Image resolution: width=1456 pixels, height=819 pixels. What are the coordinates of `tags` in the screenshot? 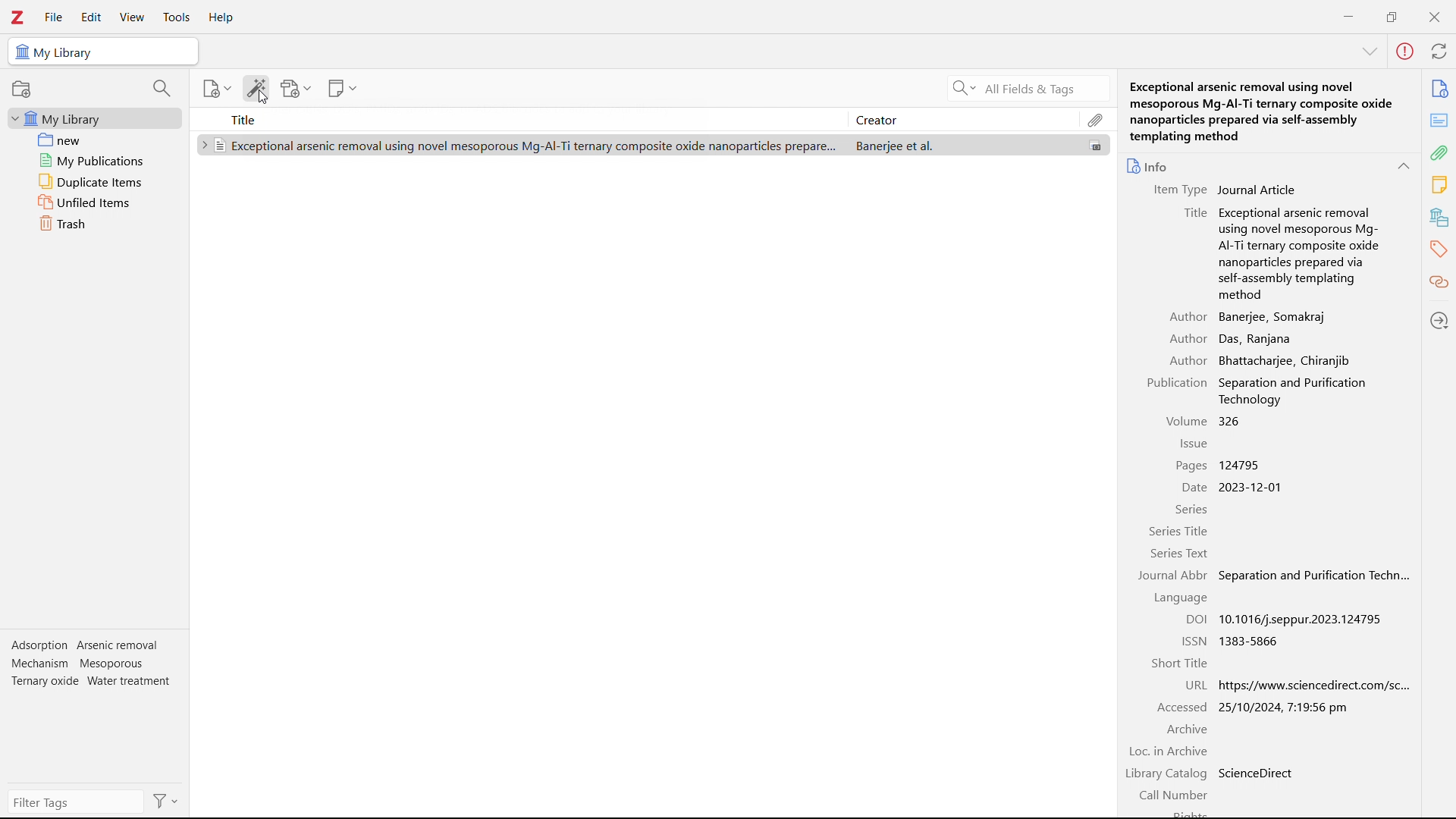 It's located at (93, 667).